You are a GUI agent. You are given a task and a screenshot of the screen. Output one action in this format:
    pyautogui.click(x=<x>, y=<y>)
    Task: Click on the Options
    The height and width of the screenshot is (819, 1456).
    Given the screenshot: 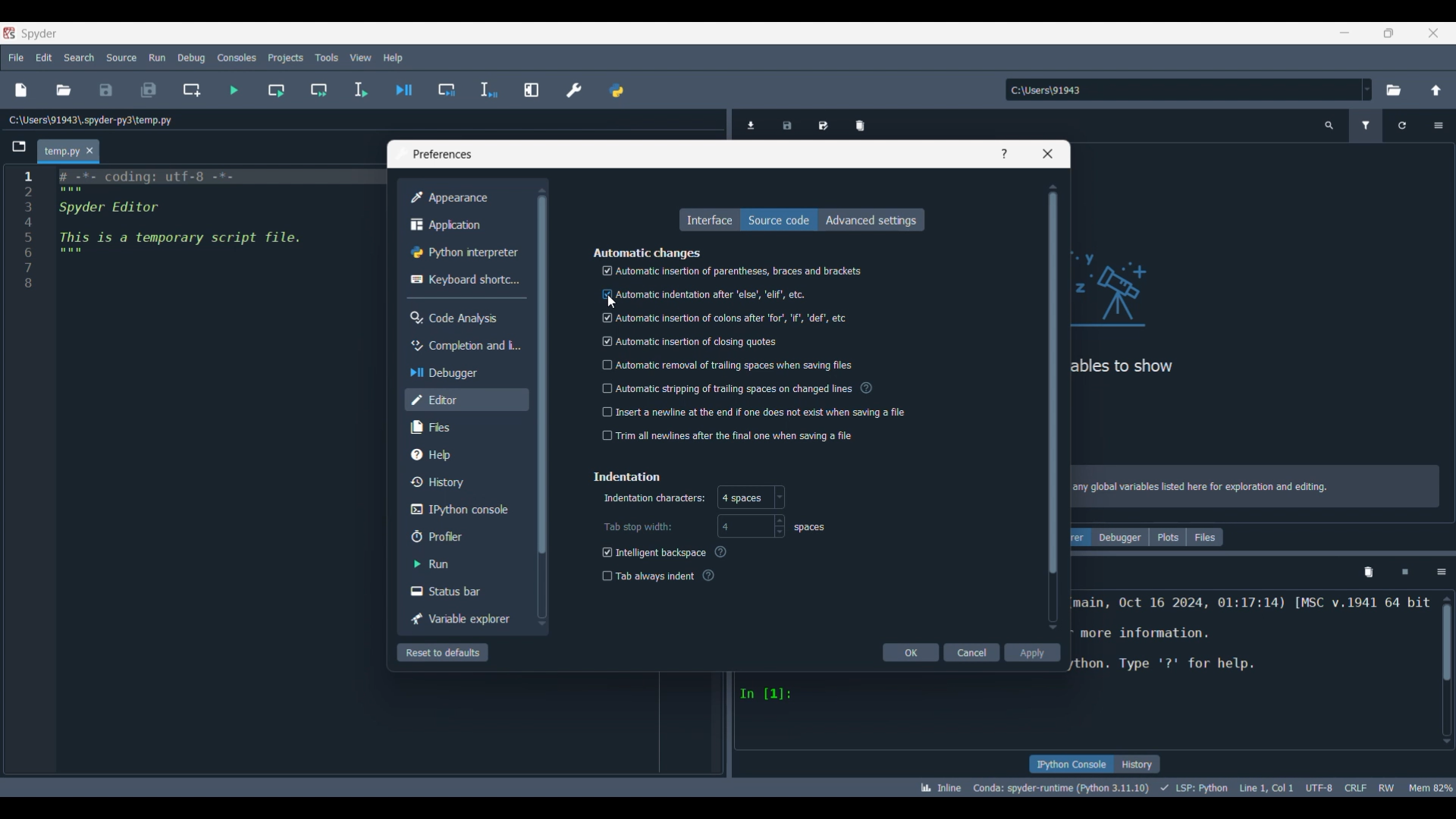 What is the action you would take?
    pyautogui.click(x=1439, y=126)
    